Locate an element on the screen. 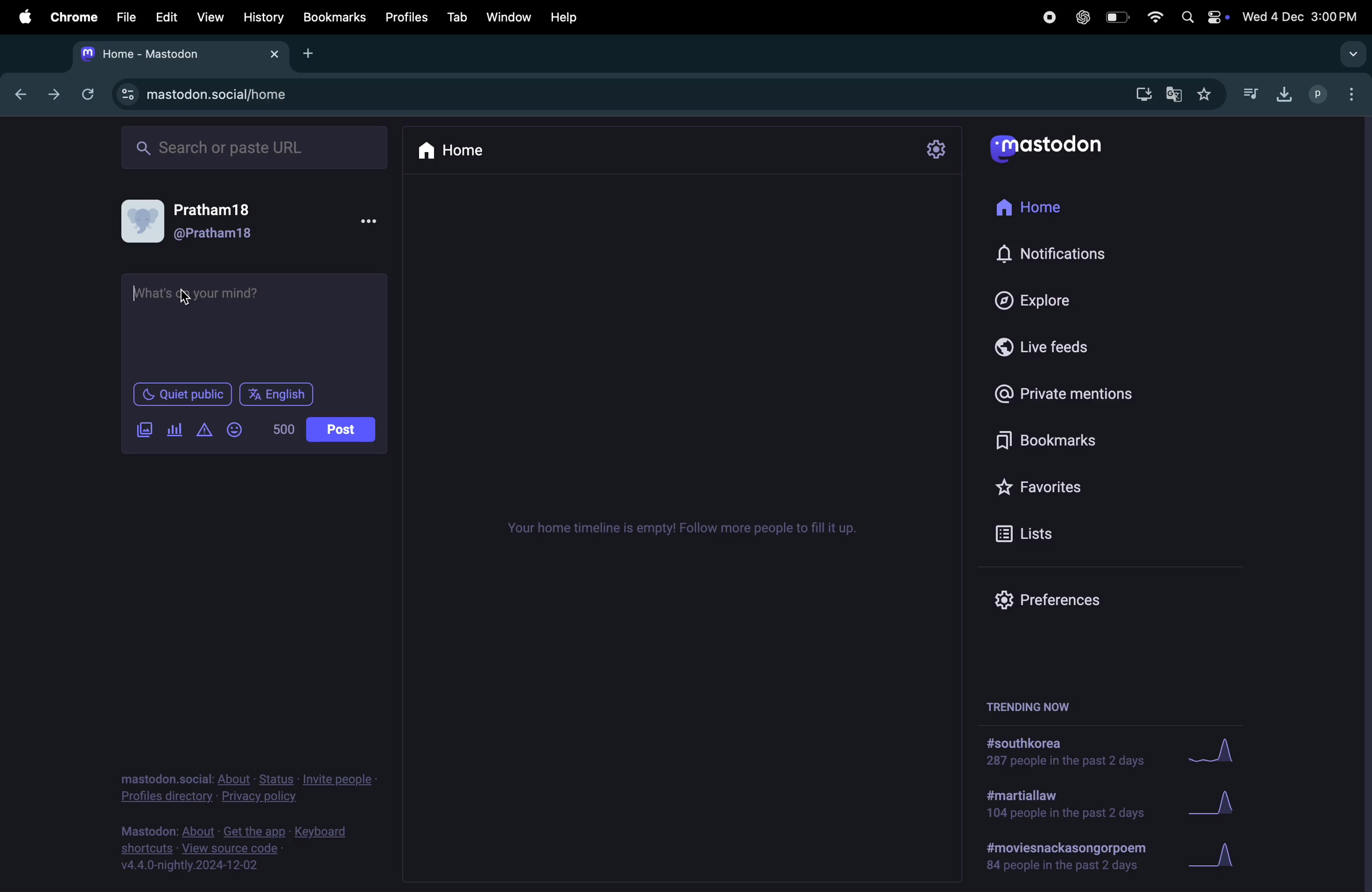  #south korea solutuions is located at coordinates (1071, 754).